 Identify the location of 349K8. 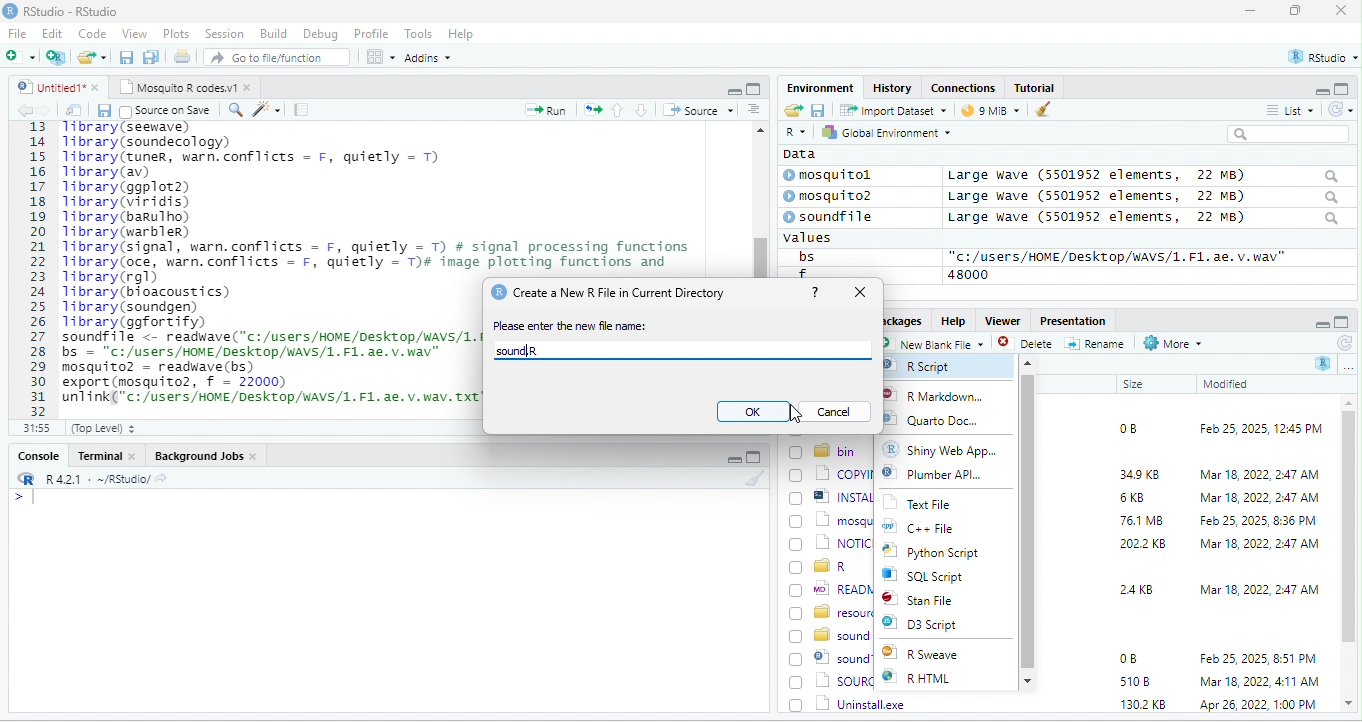
(1140, 475).